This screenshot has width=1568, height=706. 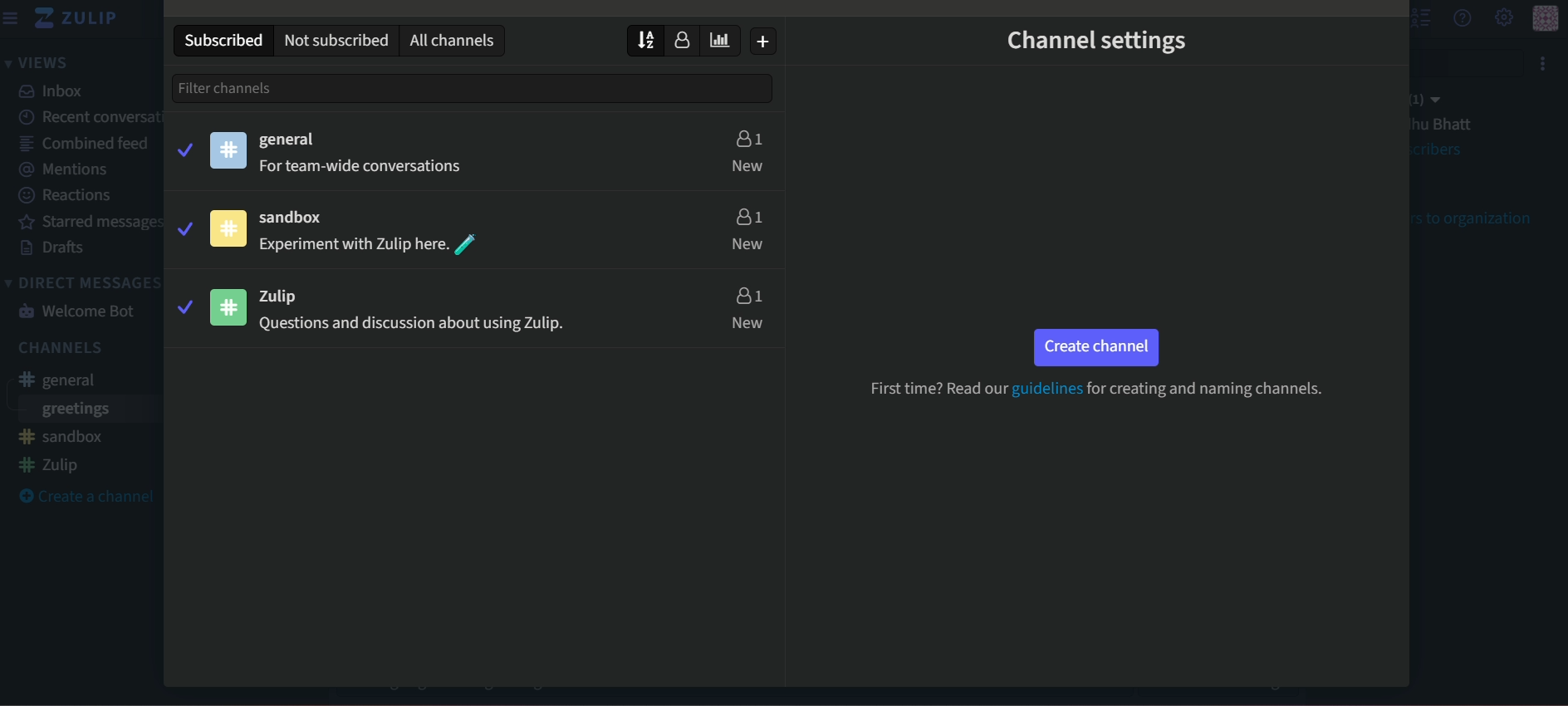 I want to click on icon, so click(x=226, y=308).